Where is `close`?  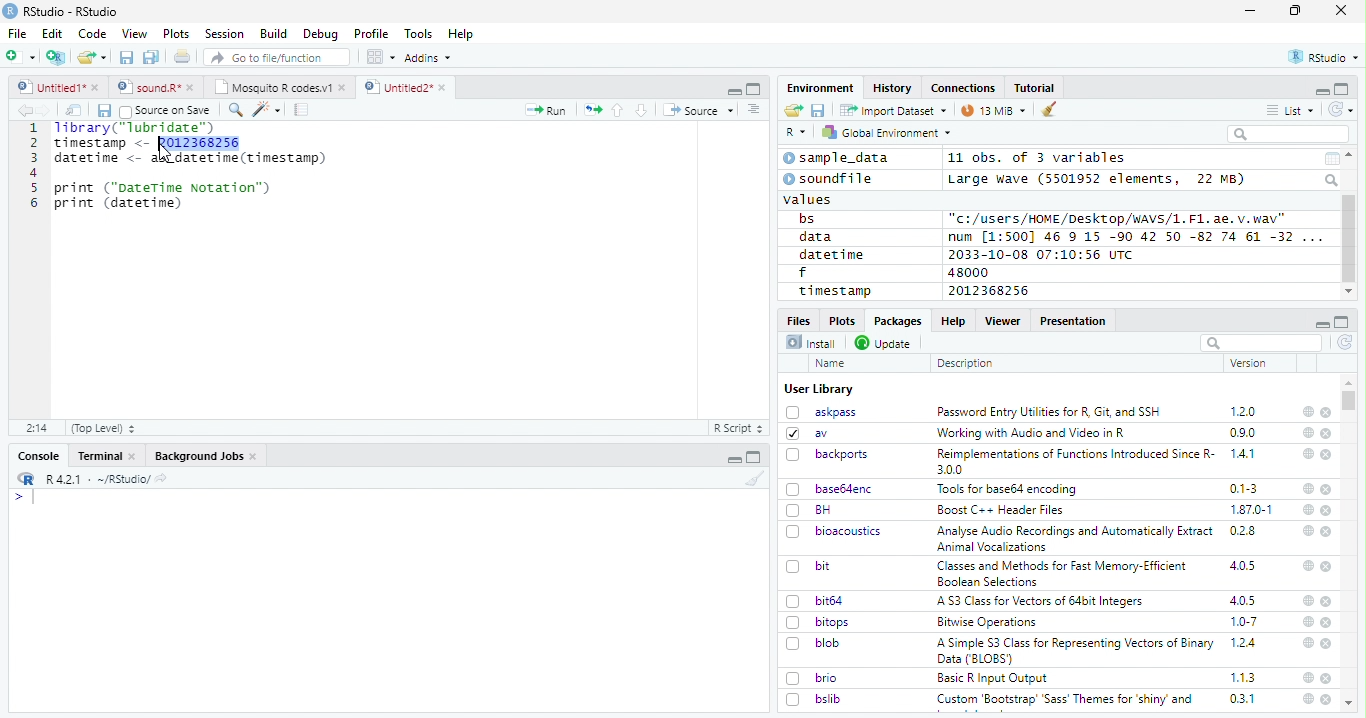 close is located at coordinates (1327, 678).